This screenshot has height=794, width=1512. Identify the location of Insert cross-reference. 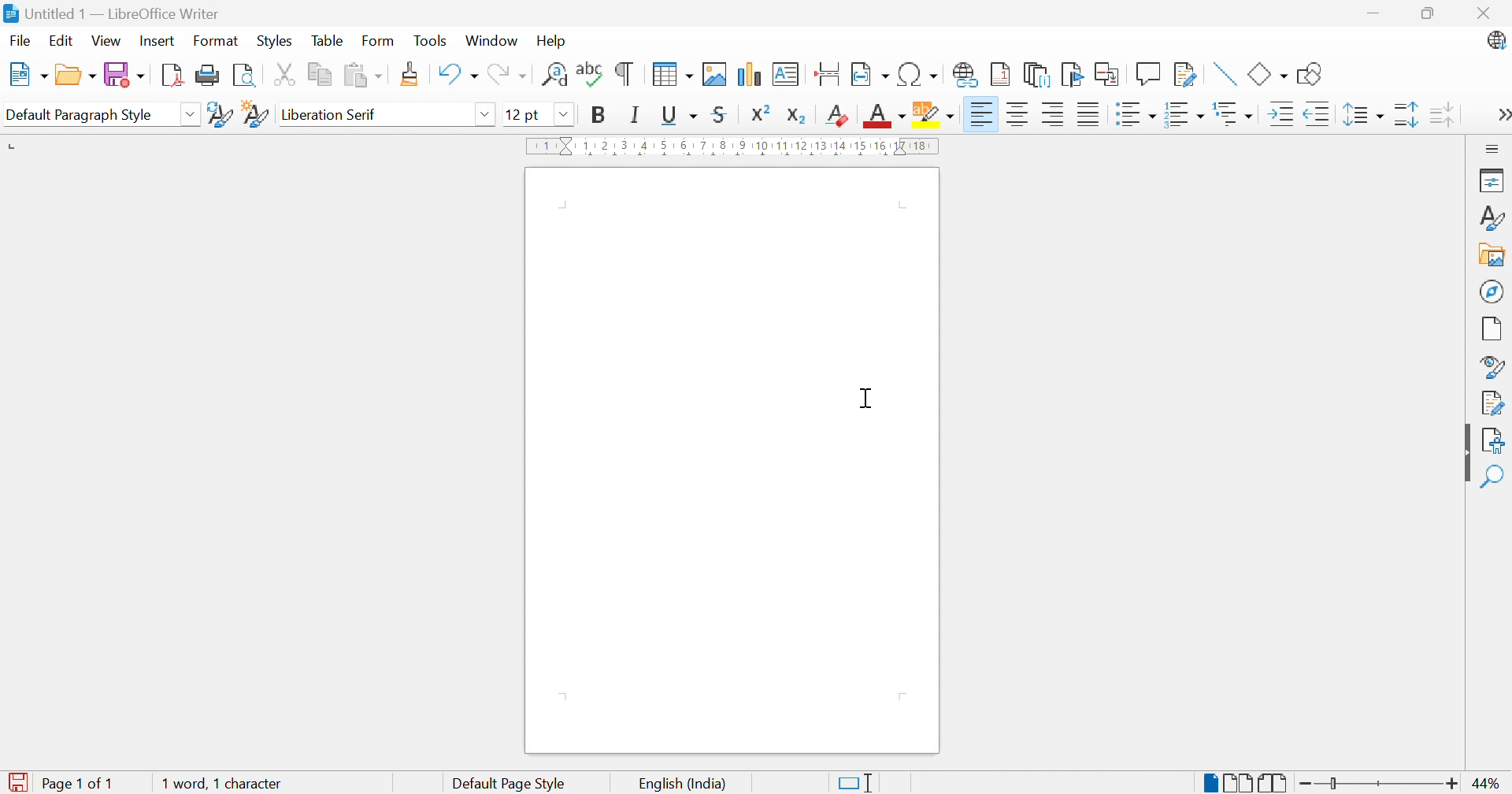
(1109, 75).